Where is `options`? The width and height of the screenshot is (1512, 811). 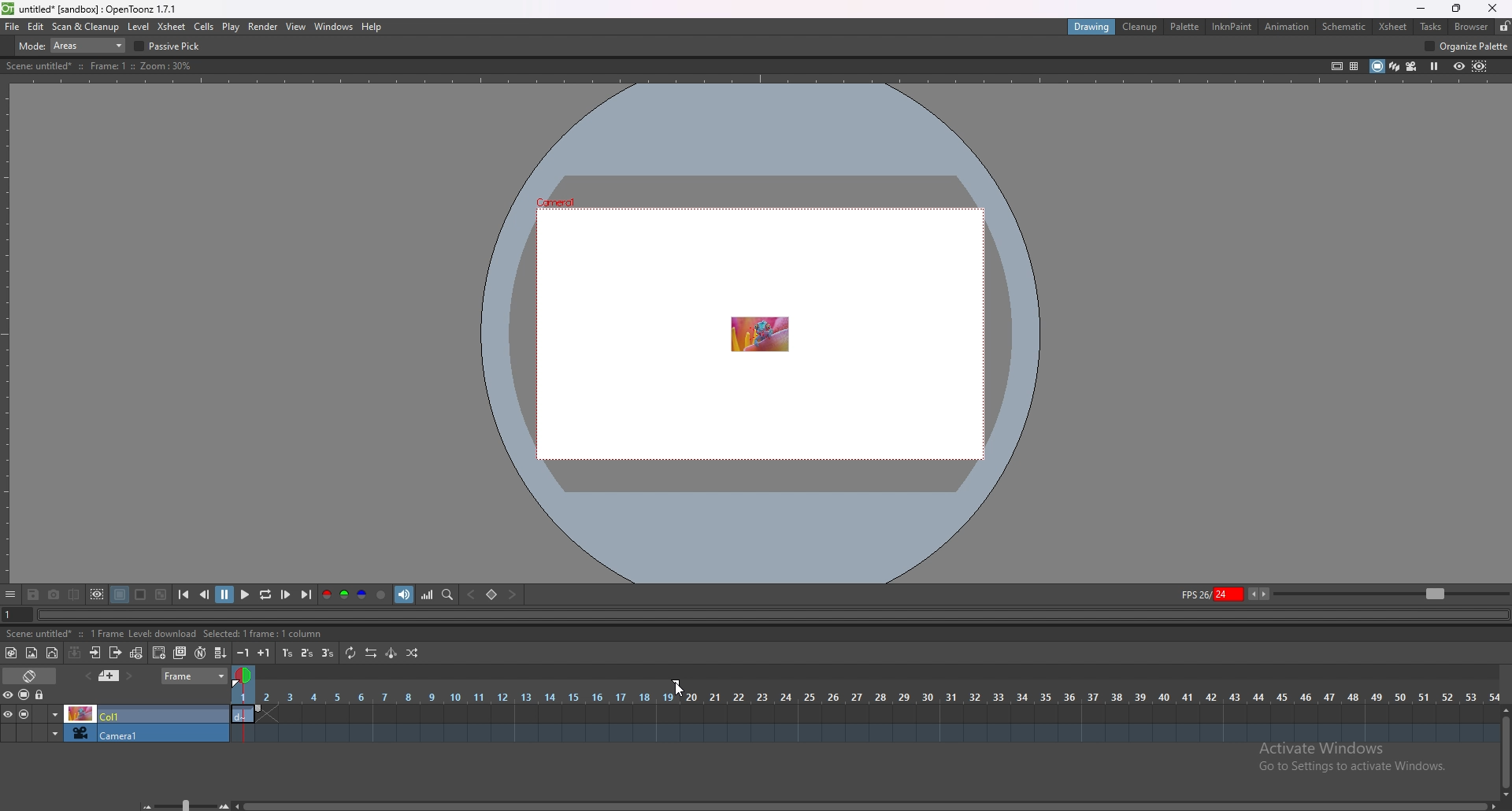 options is located at coordinates (11, 595).